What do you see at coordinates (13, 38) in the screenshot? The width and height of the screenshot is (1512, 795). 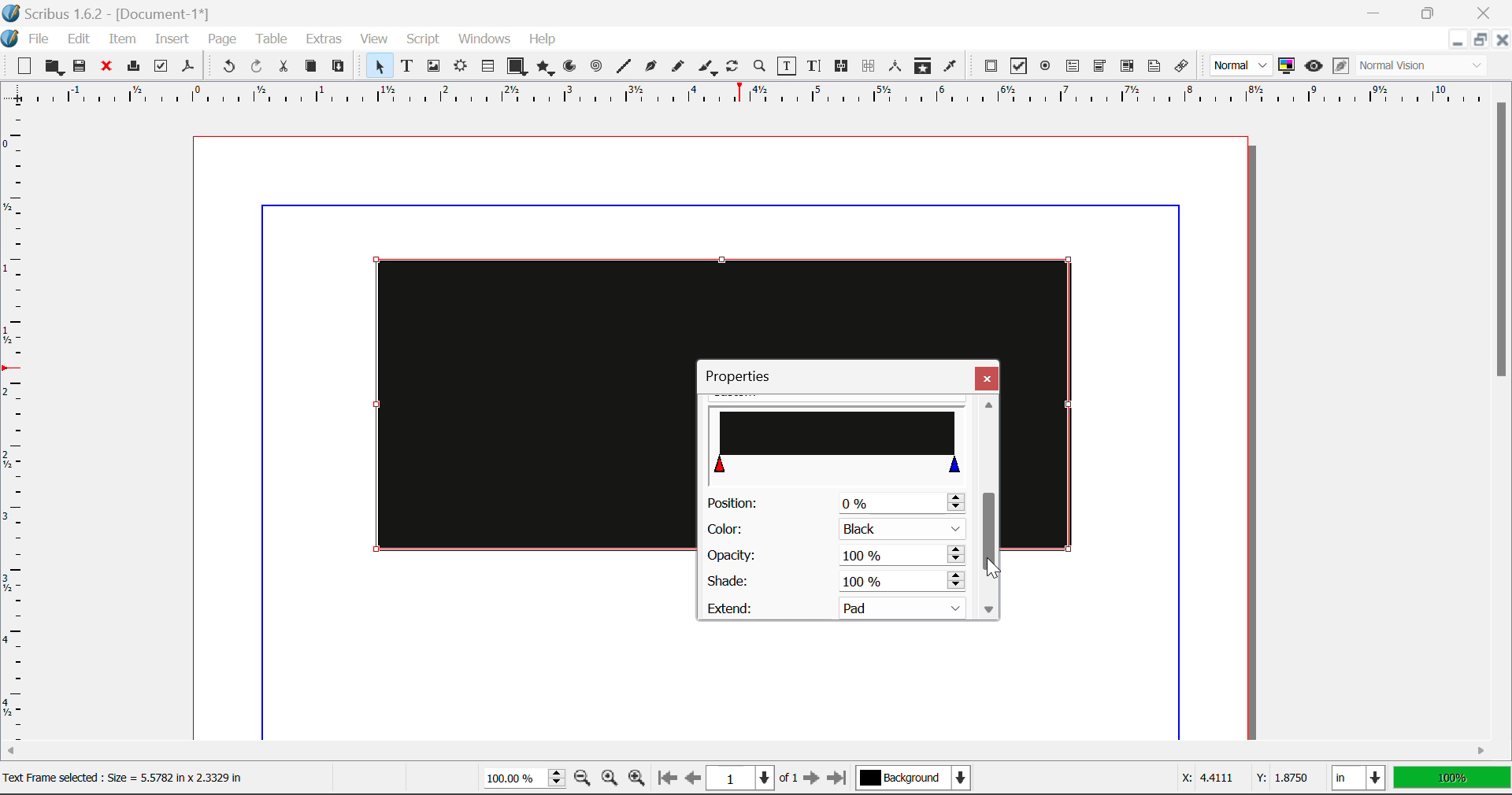 I see `scribus logo` at bounding box center [13, 38].